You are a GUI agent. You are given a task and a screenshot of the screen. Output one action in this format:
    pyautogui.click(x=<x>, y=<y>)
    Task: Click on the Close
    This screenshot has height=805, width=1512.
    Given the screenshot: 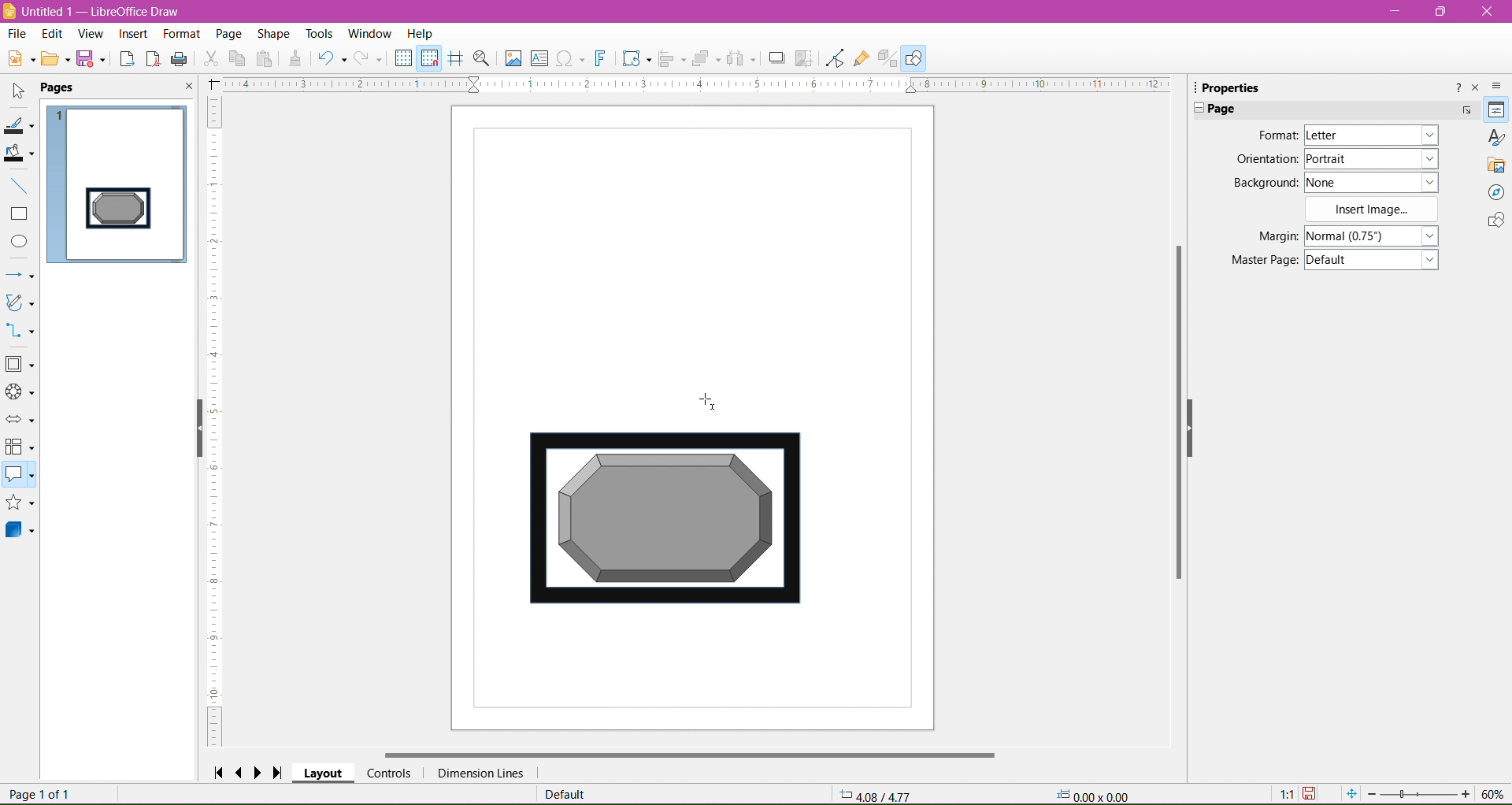 What is the action you would take?
    pyautogui.click(x=187, y=88)
    